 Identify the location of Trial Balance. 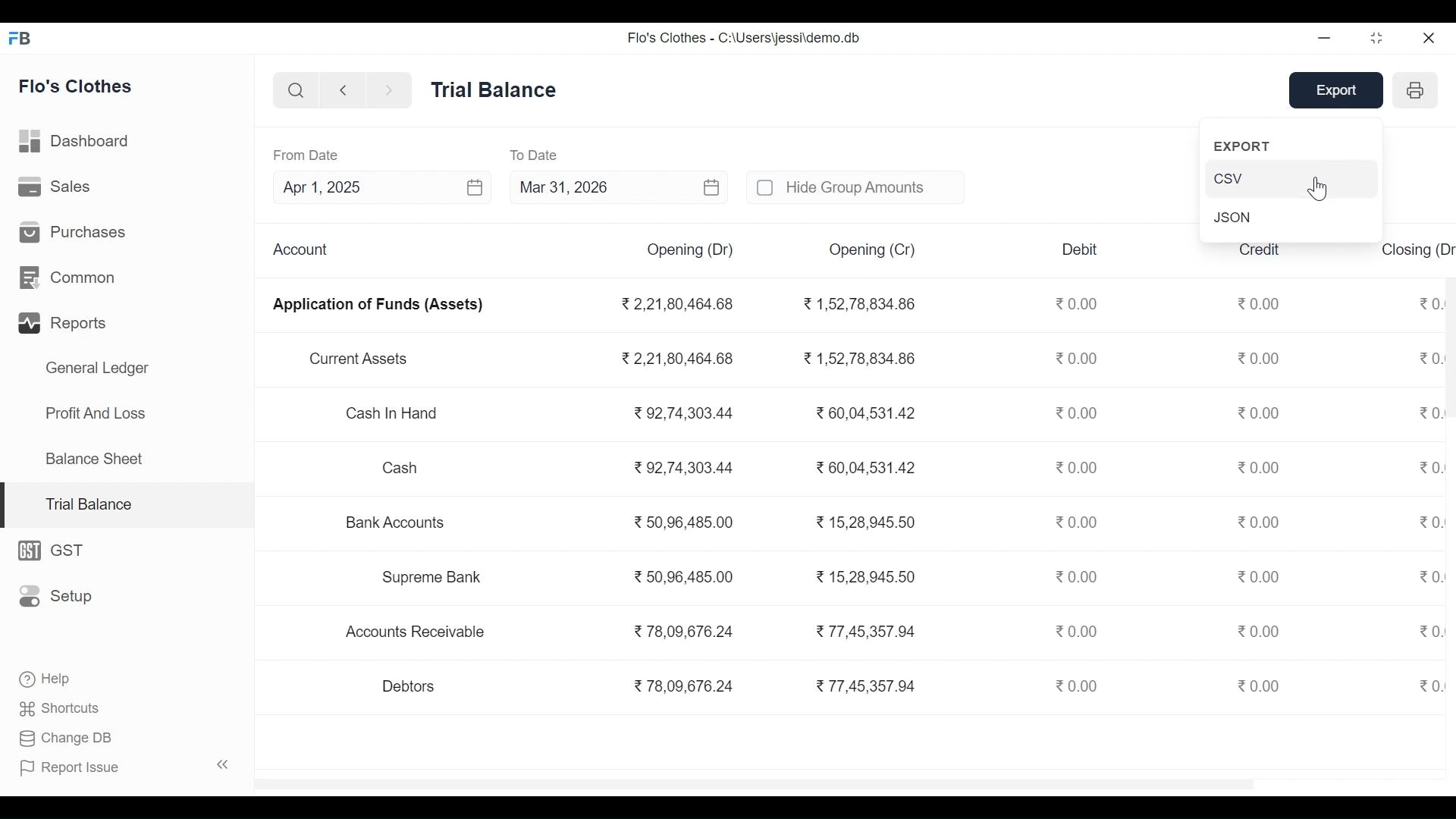
(495, 89).